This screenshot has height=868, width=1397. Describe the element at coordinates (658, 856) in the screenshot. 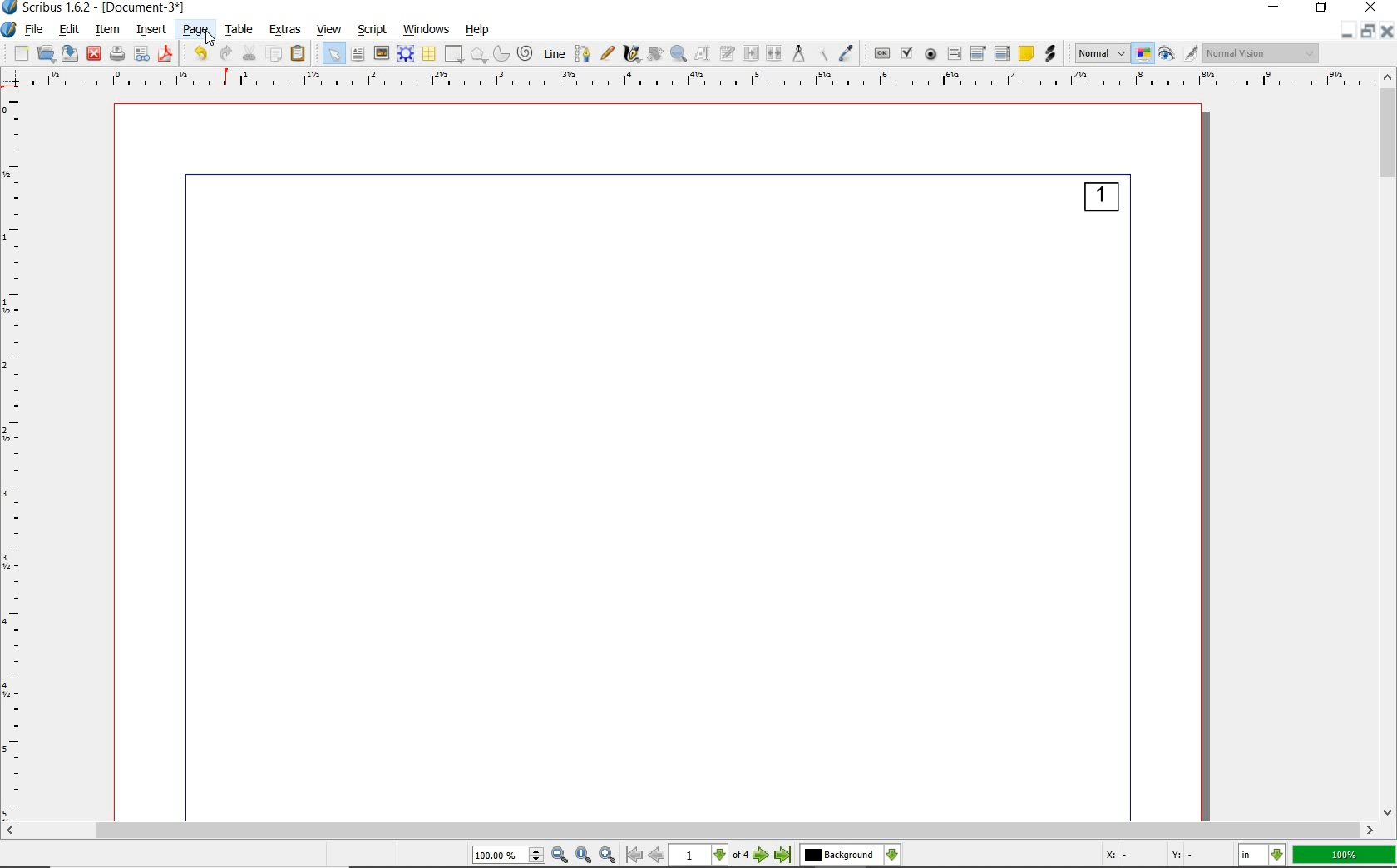

I see `go to previous page` at that location.